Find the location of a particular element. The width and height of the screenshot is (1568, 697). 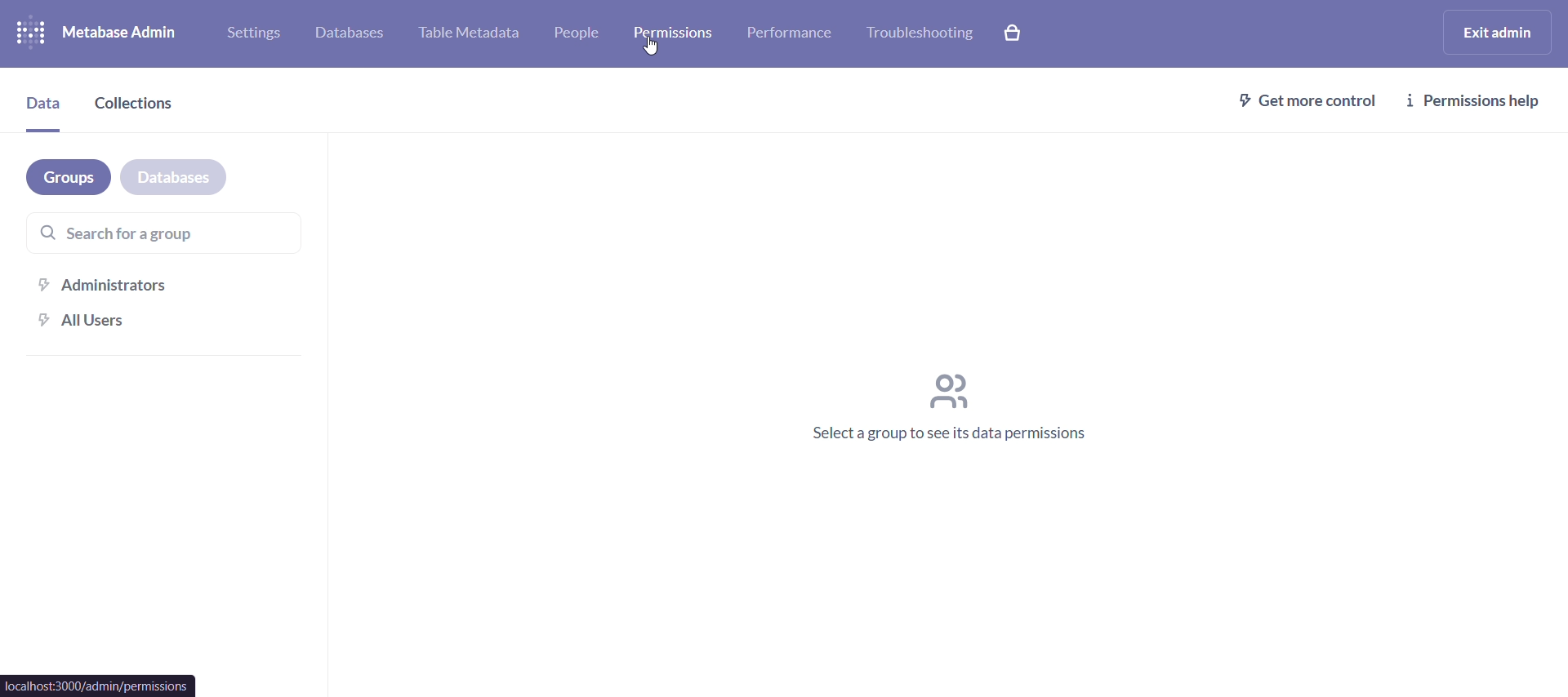

logo is located at coordinates (29, 36).